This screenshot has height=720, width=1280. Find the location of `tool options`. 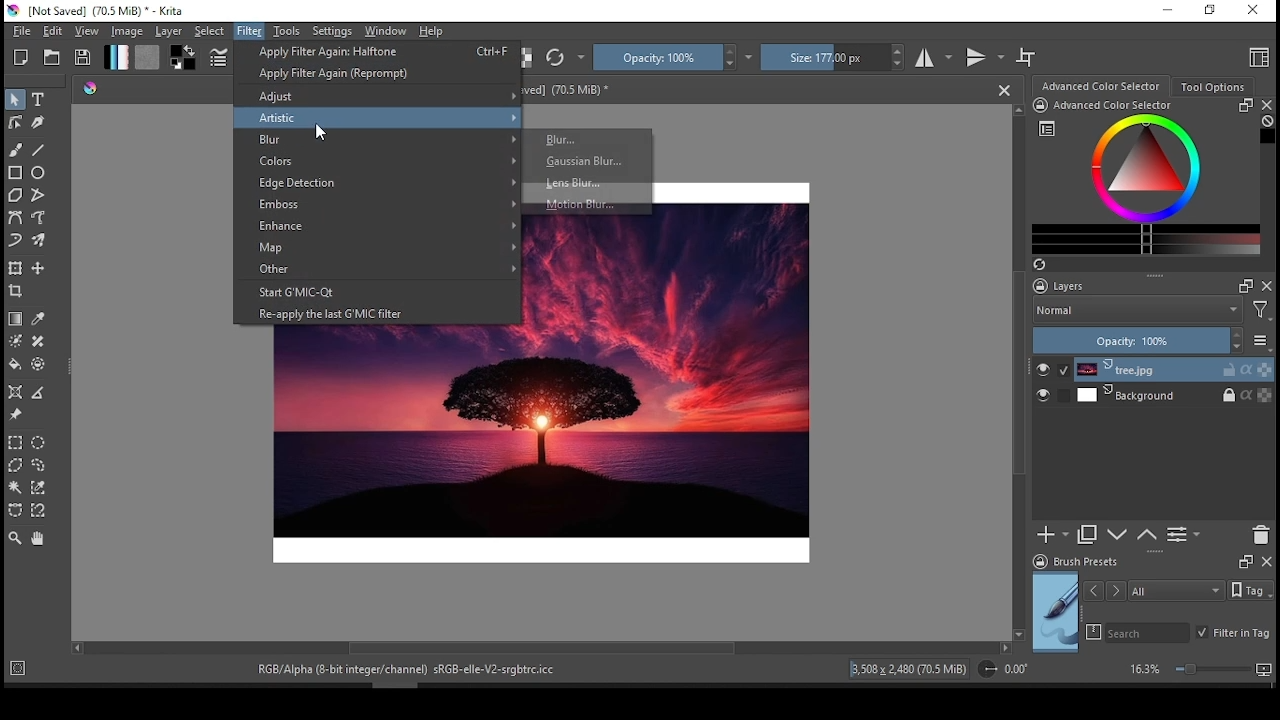

tool options is located at coordinates (1212, 87).